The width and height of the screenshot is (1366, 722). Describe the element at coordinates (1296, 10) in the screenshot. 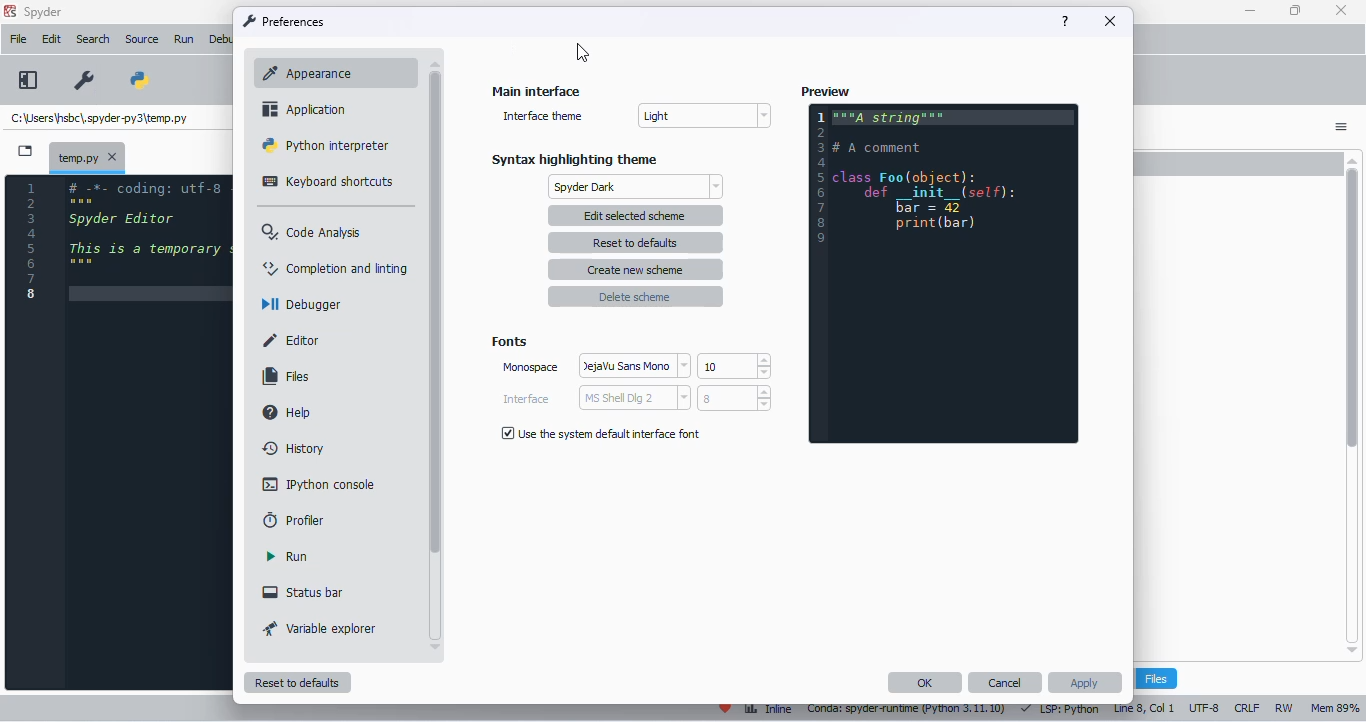

I see `maximize` at that location.